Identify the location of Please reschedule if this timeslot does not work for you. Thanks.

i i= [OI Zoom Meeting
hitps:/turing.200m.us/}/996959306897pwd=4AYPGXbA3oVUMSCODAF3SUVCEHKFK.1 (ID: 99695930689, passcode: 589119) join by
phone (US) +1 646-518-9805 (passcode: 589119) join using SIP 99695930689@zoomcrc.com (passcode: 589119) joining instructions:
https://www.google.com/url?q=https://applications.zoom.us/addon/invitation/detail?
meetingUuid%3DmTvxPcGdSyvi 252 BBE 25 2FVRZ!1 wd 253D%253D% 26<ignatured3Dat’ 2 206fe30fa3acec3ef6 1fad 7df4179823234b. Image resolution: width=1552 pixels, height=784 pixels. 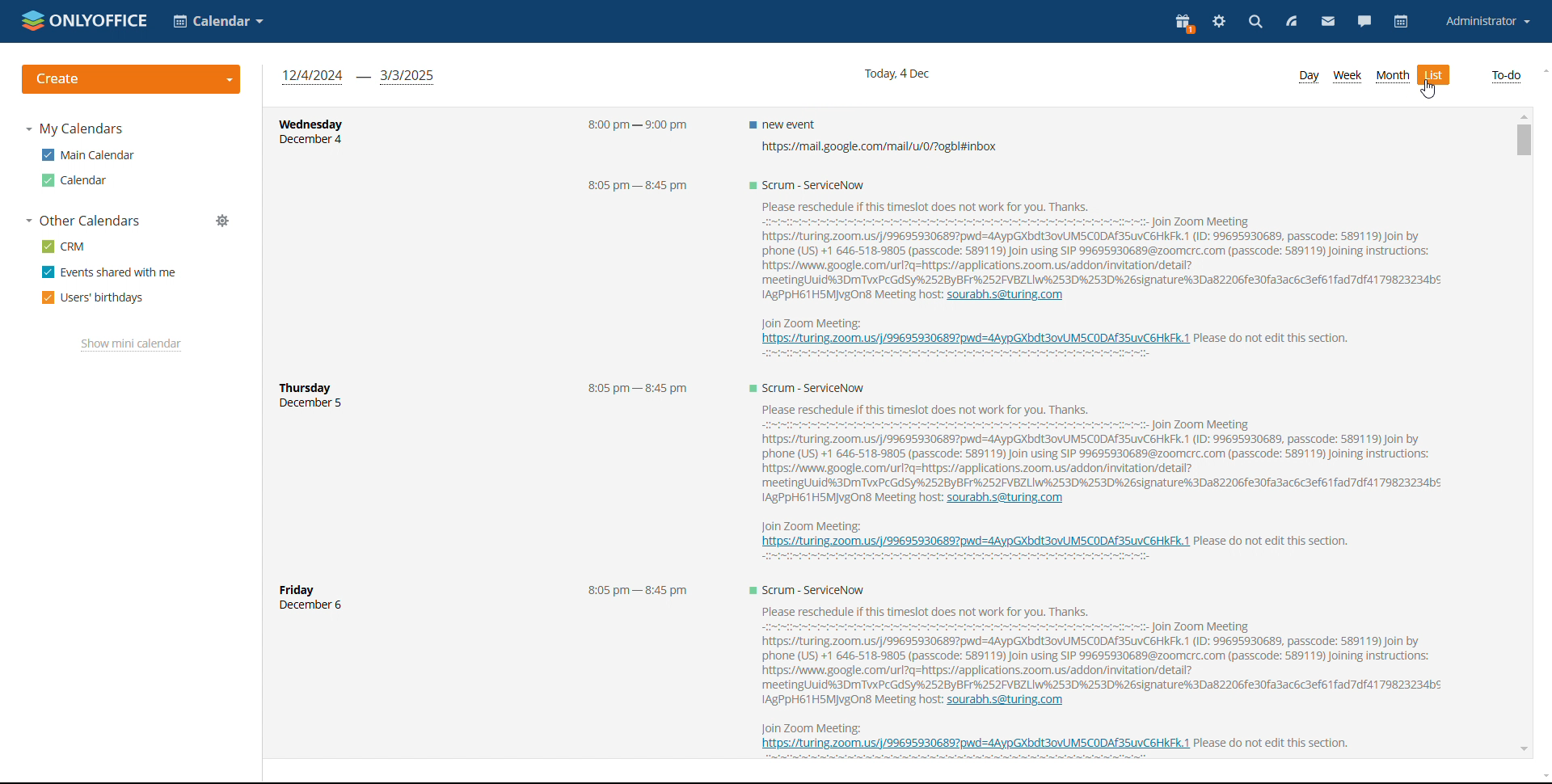
(1094, 647).